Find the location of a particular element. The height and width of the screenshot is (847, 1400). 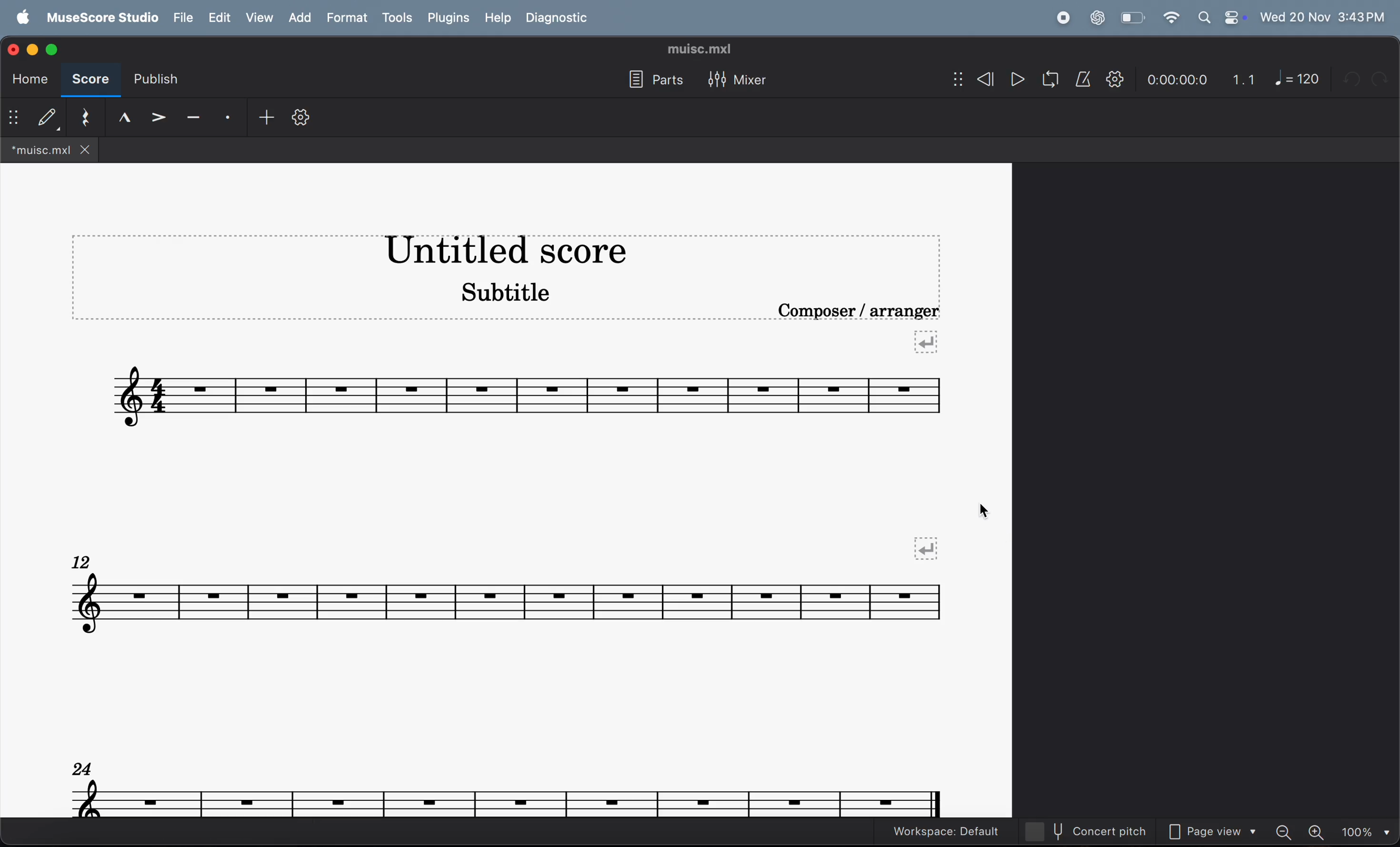

parts is located at coordinates (654, 79).